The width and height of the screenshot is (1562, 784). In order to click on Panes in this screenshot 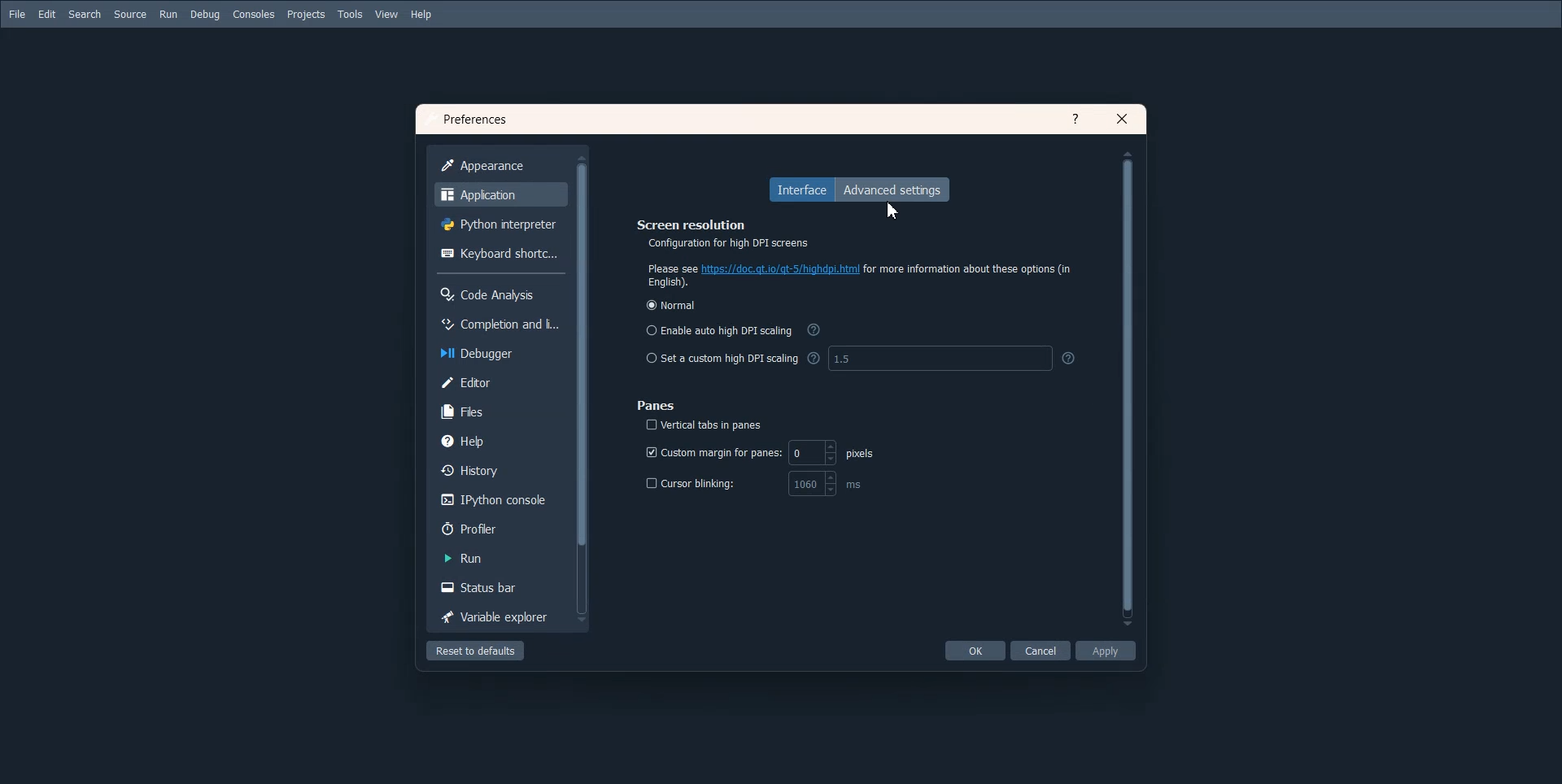, I will do `click(657, 405)`.